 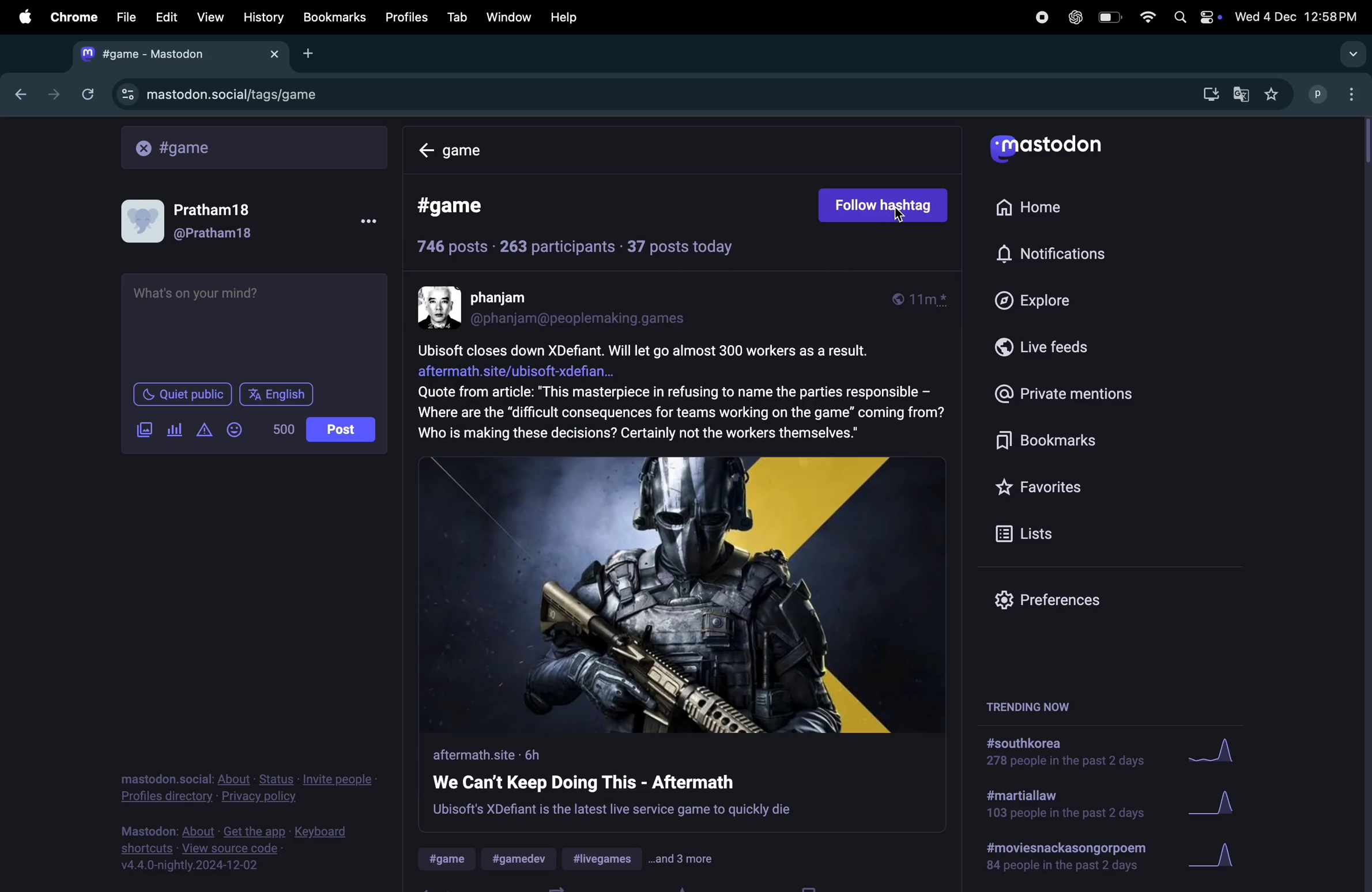 I want to click on mastodon tab, so click(x=183, y=54).